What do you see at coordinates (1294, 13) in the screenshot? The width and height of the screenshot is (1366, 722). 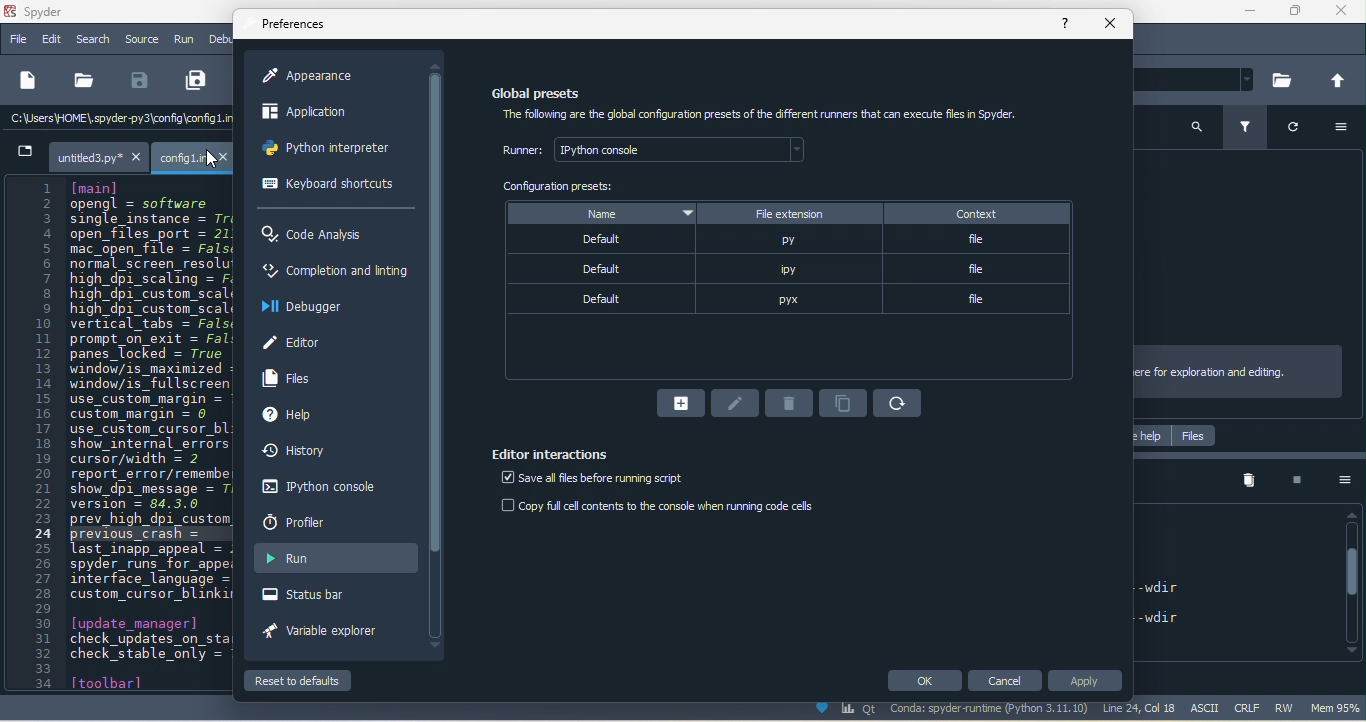 I see `maximize` at bounding box center [1294, 13].